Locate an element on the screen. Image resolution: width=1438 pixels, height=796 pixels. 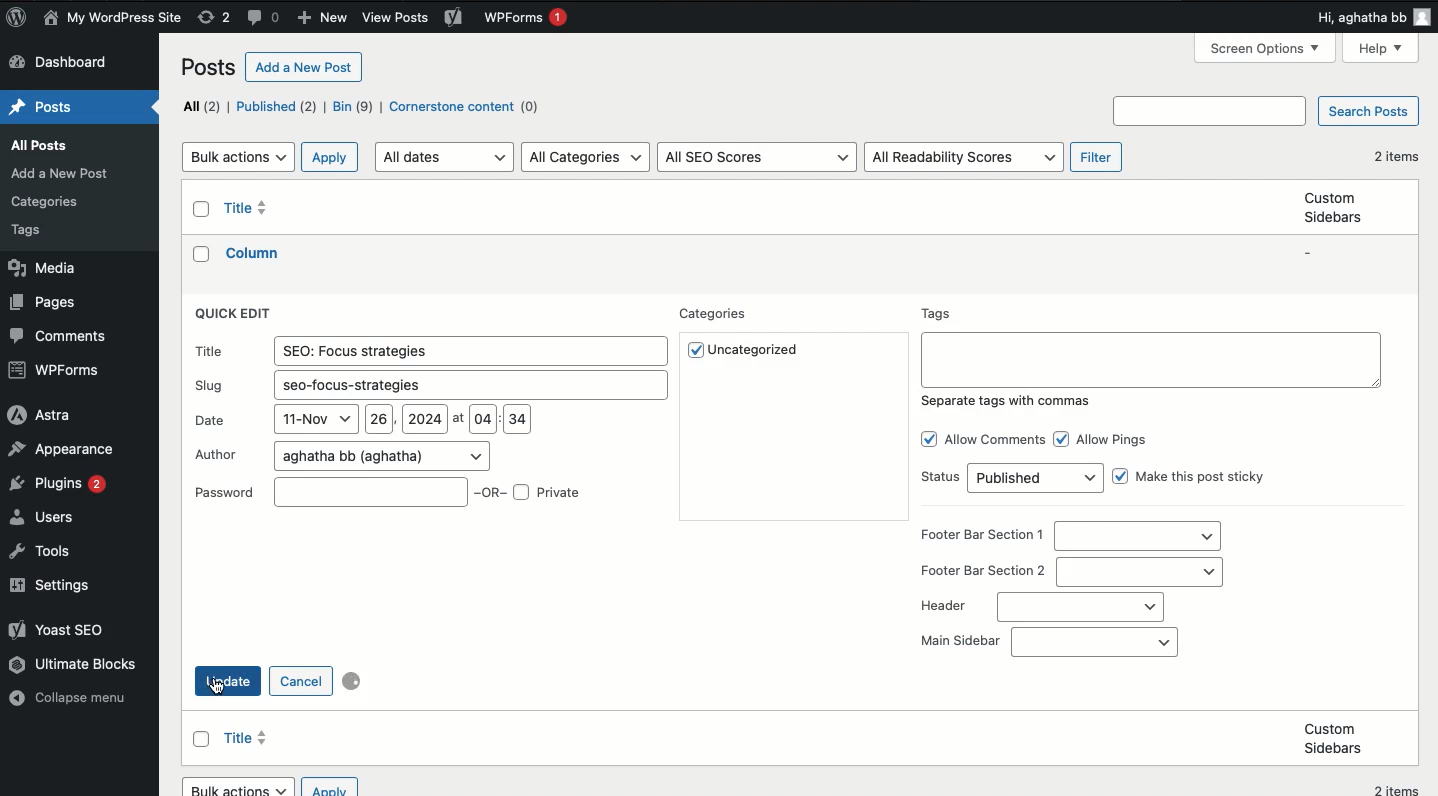
2 items is located at coordinates (1395, 156).